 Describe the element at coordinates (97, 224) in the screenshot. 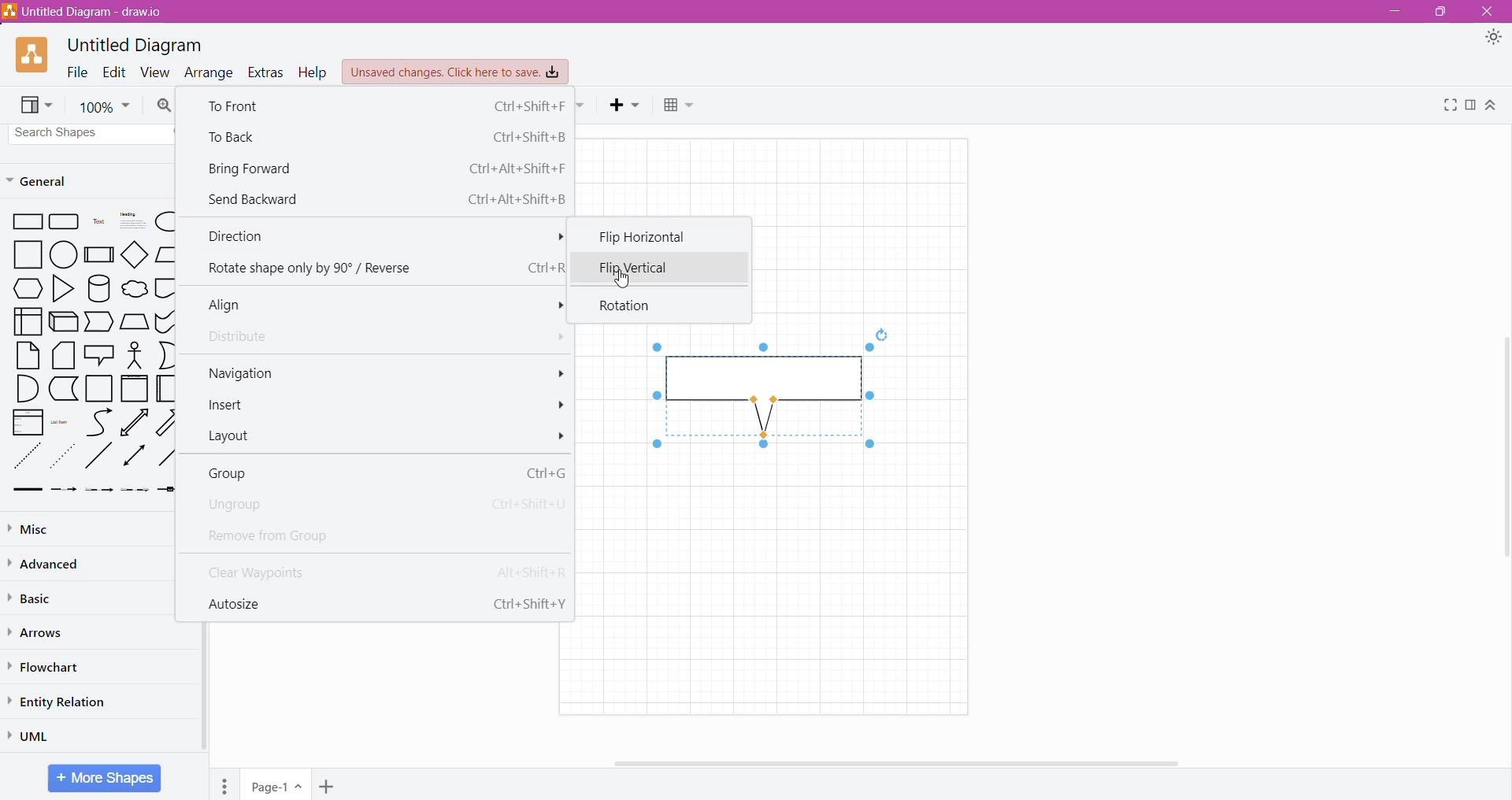

I see `Text (Label)` at that location.